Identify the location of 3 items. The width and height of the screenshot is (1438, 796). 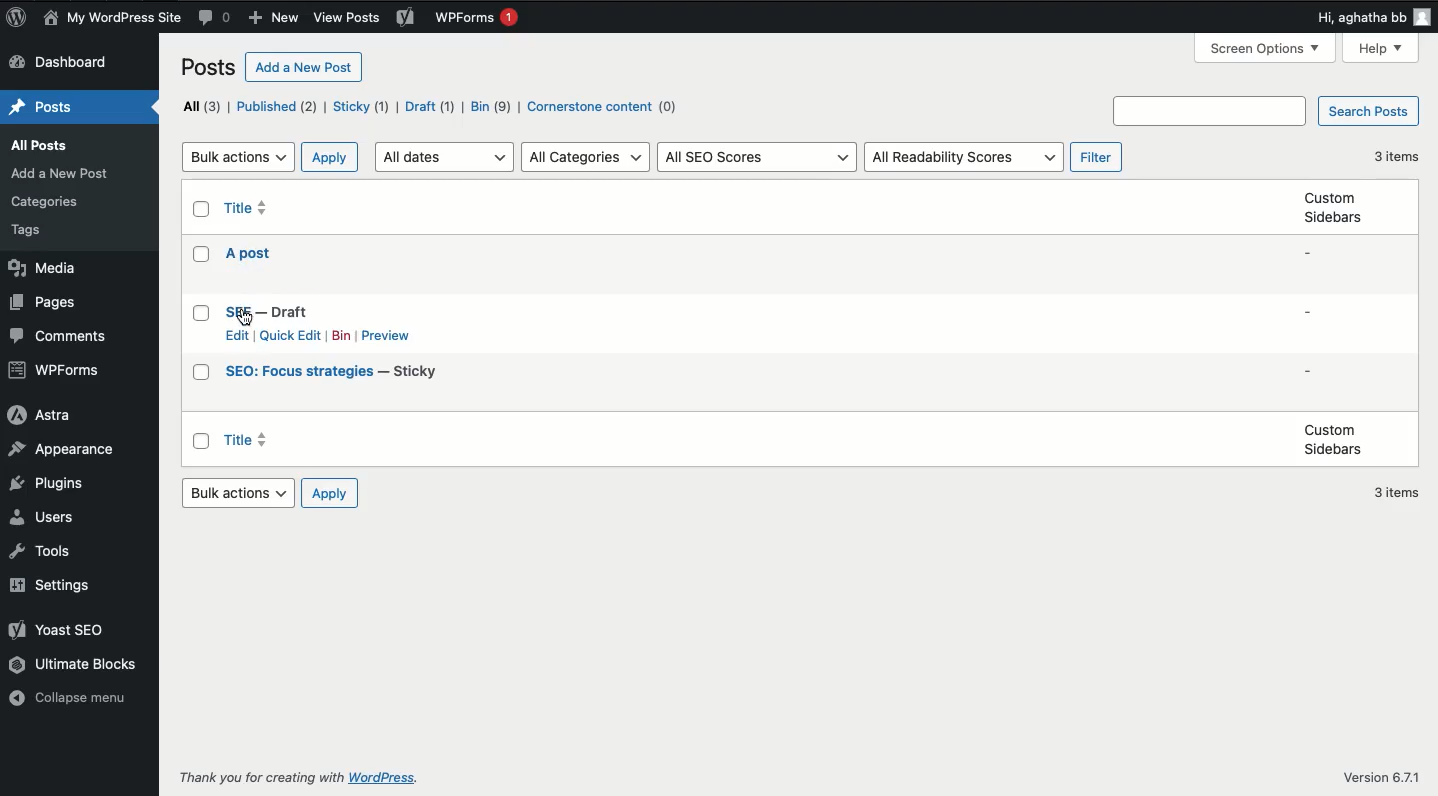
(1394, 493).